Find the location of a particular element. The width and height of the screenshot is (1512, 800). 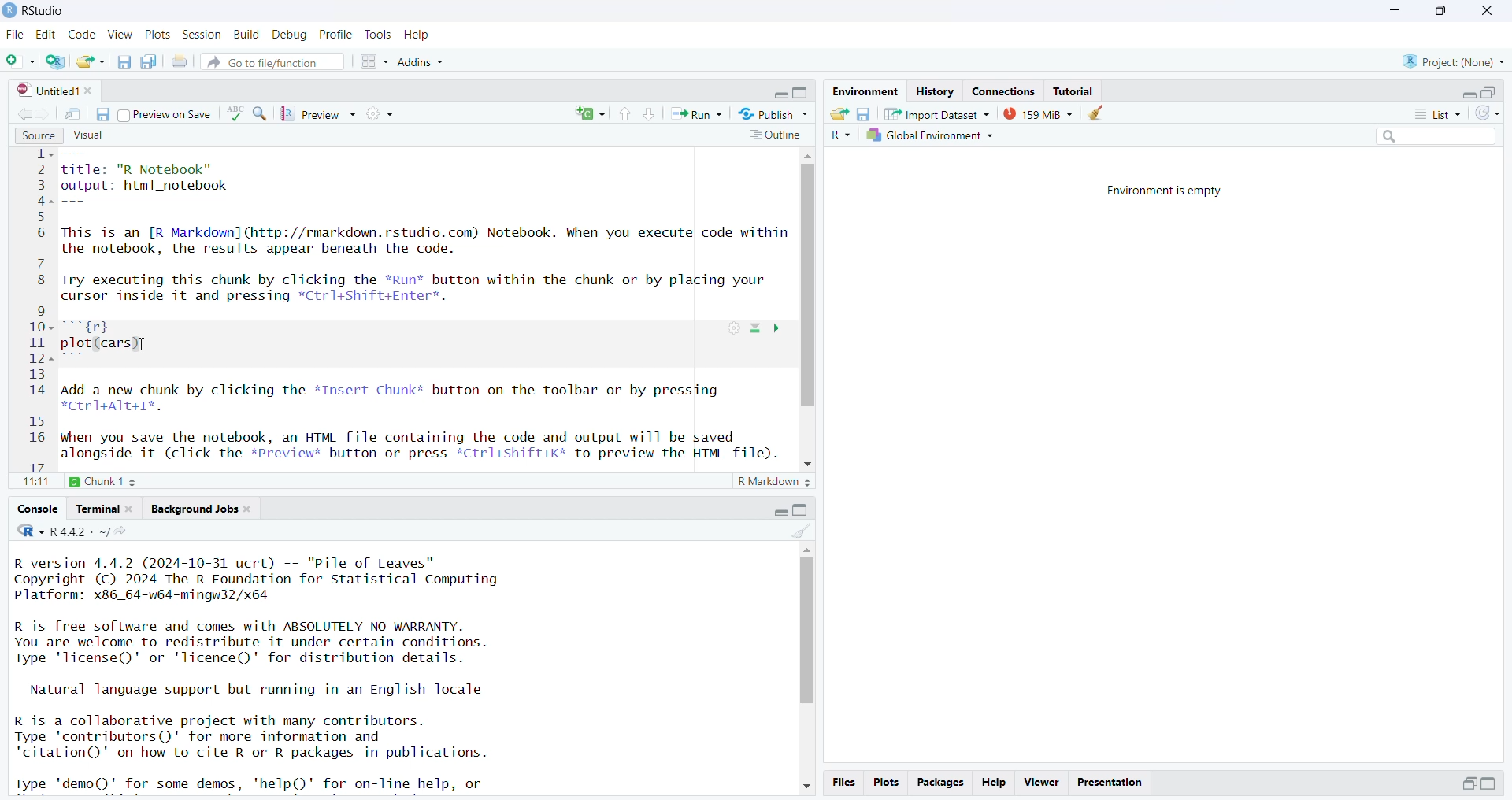

expand is located at coordinates (1469, 783).